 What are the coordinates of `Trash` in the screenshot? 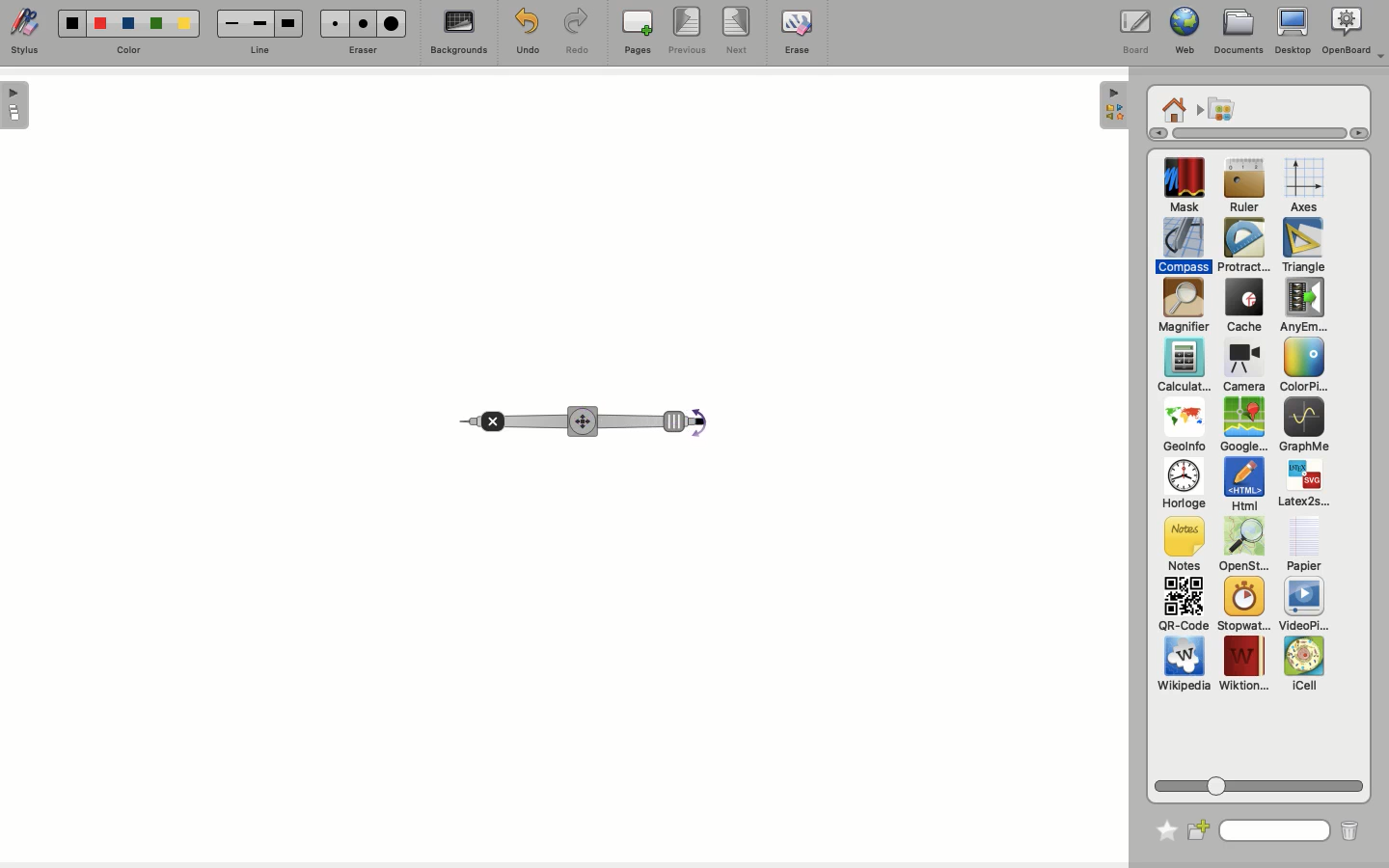 It's located at (1348, 830).